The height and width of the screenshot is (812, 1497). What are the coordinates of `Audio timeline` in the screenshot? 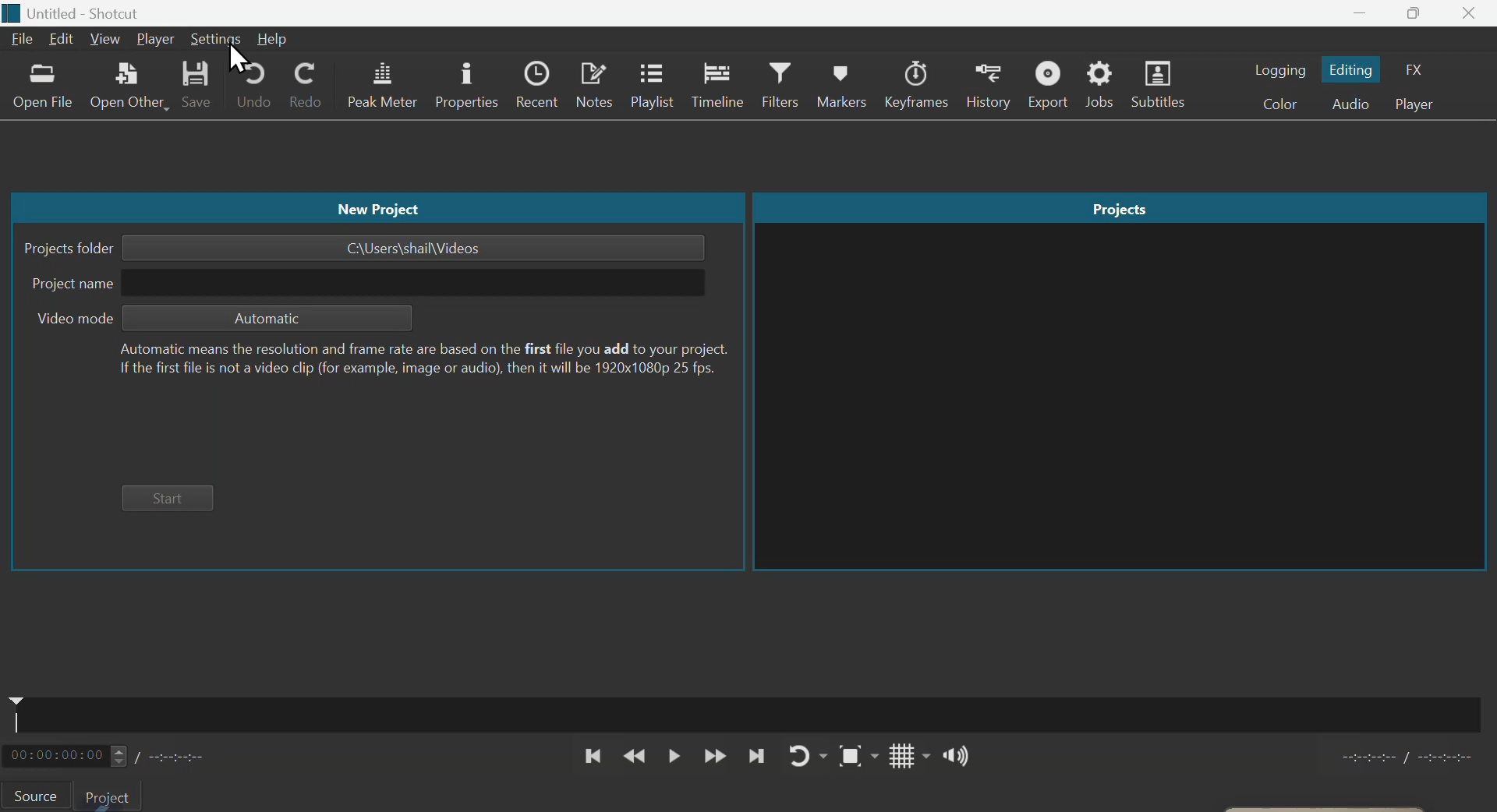 It's located at (752, 711).